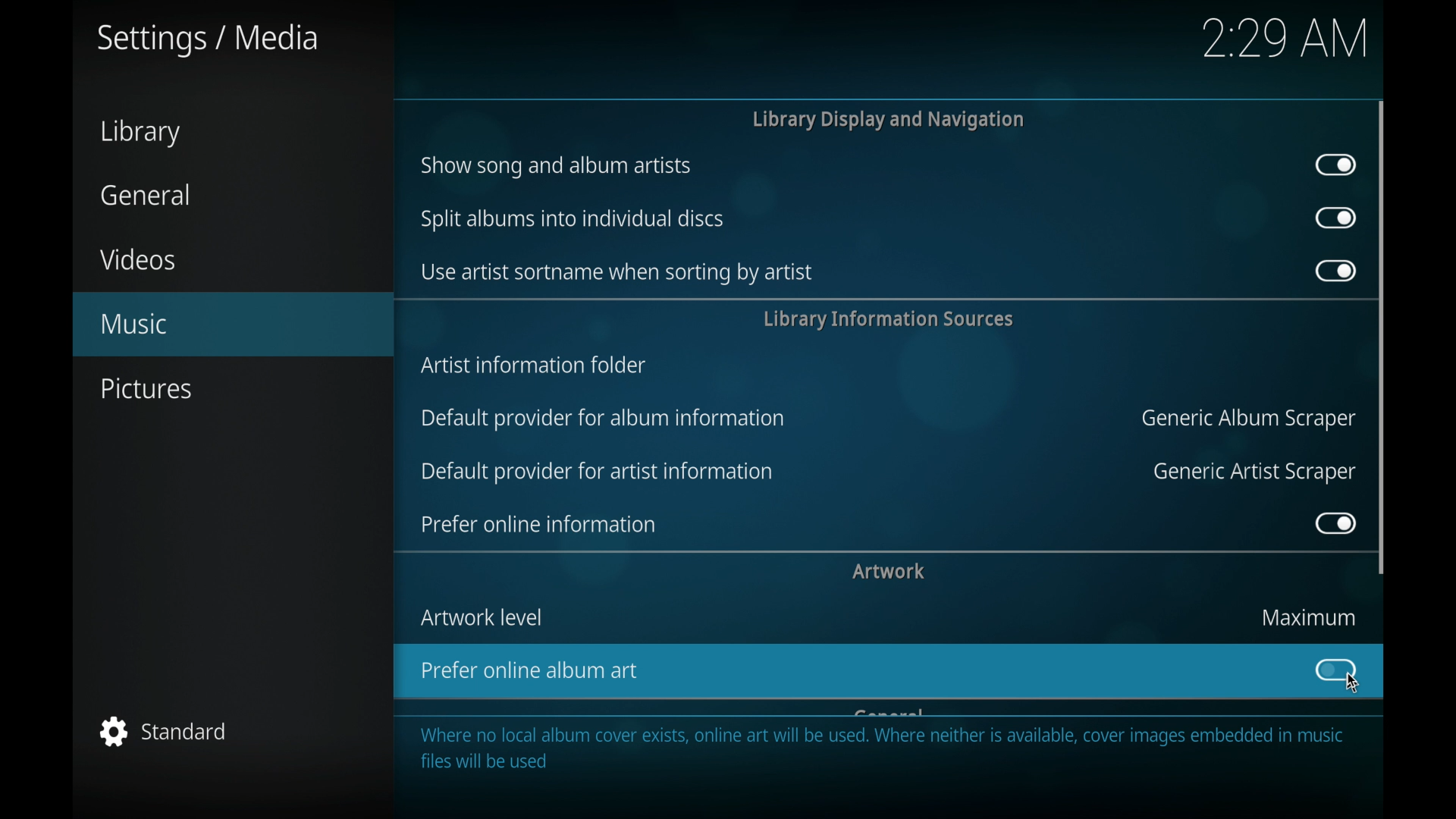 The height and width of the screenshot is (819, 1456). I want to click on toggle button, so click(1336, 673).